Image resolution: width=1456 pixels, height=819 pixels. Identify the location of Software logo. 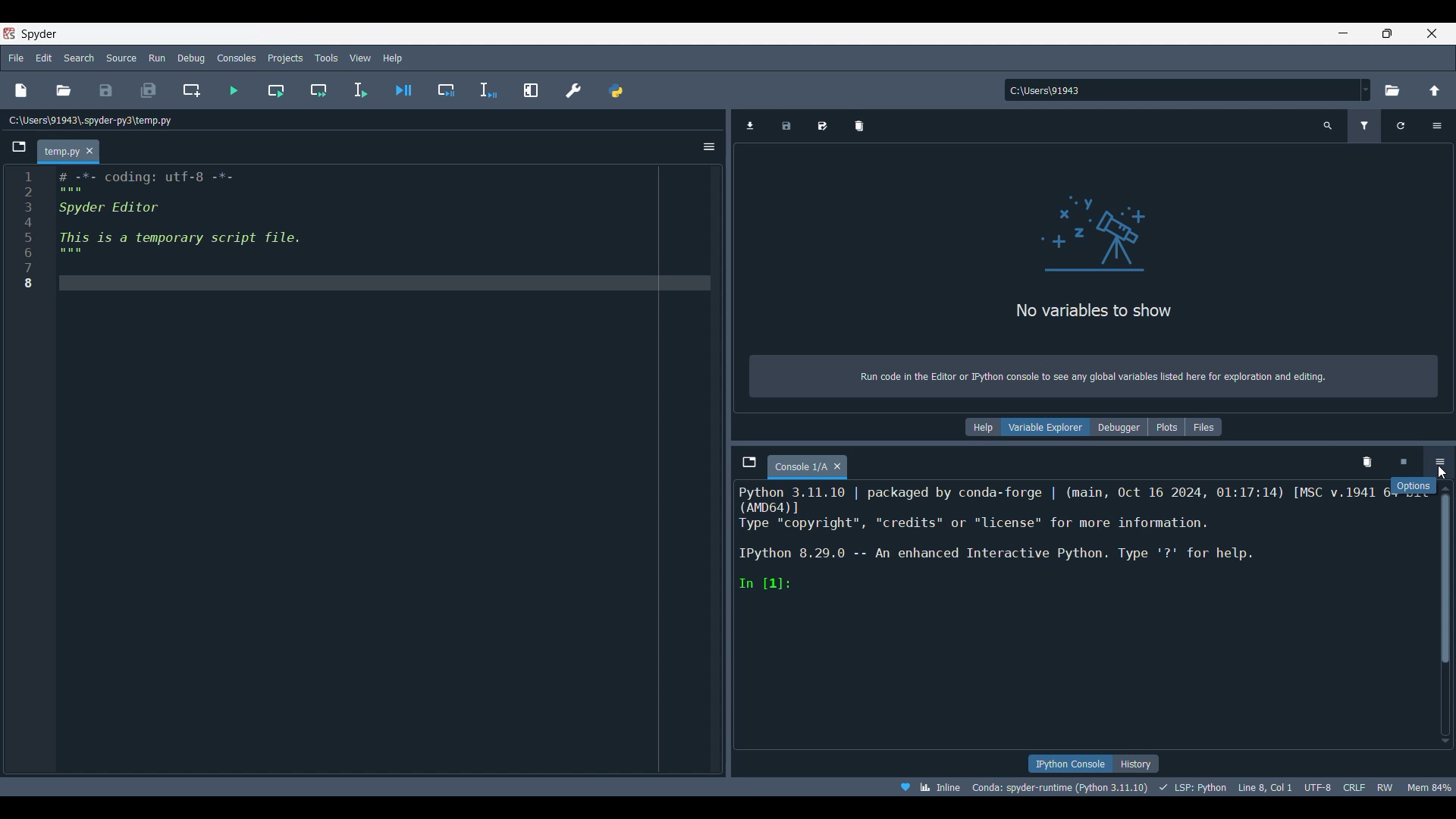
(9, 33).